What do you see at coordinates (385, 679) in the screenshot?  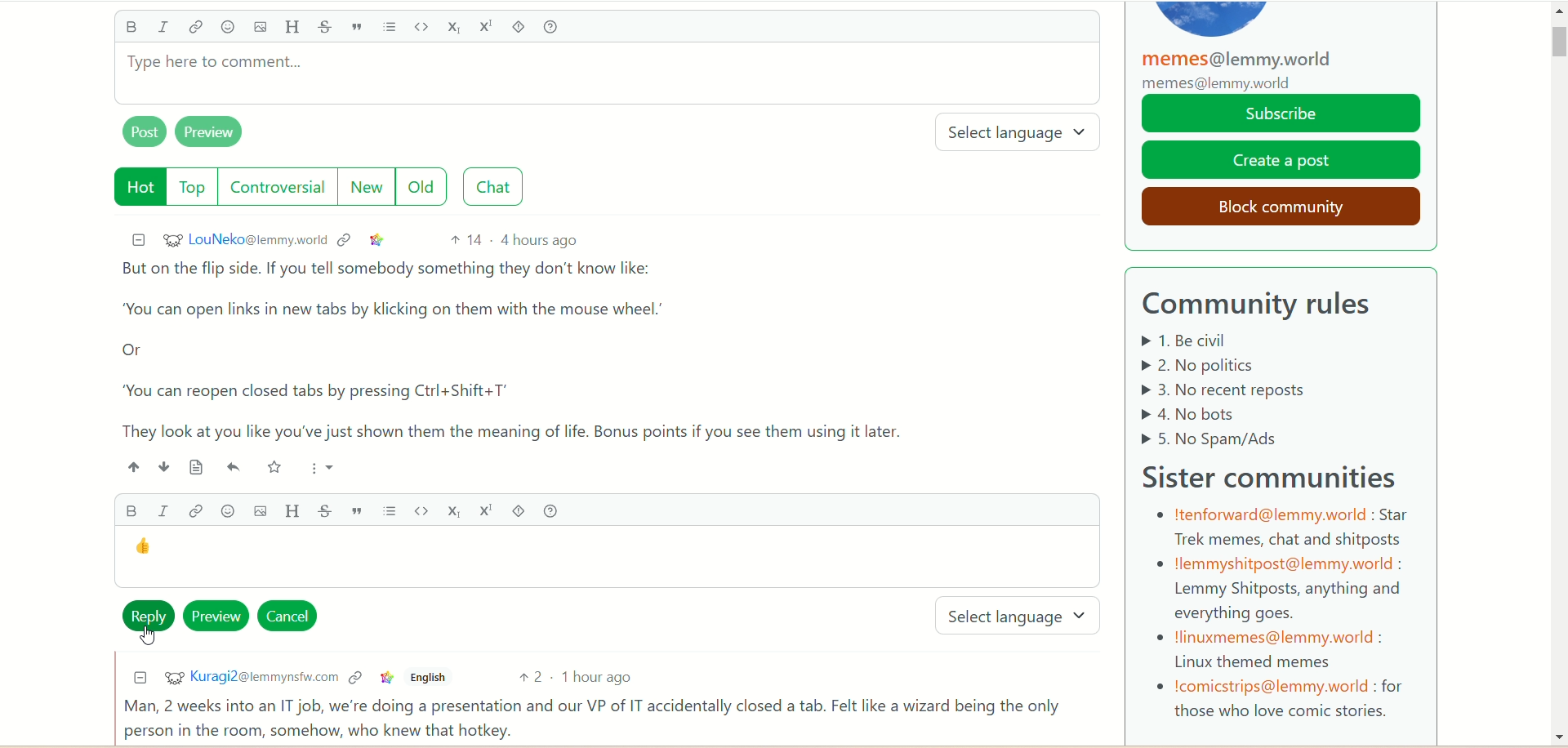 I see `link` at bounding box center [385, 679].